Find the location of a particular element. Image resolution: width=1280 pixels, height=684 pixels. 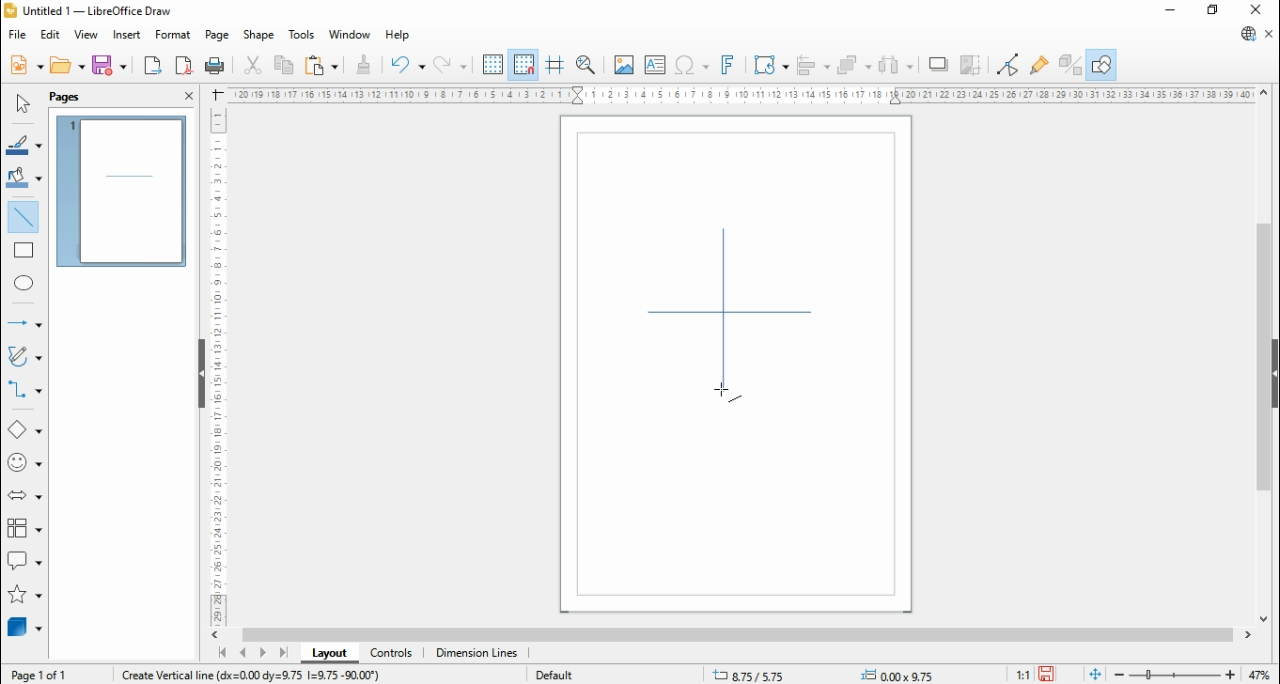

callout shapes is located at coordinates (25, 560).